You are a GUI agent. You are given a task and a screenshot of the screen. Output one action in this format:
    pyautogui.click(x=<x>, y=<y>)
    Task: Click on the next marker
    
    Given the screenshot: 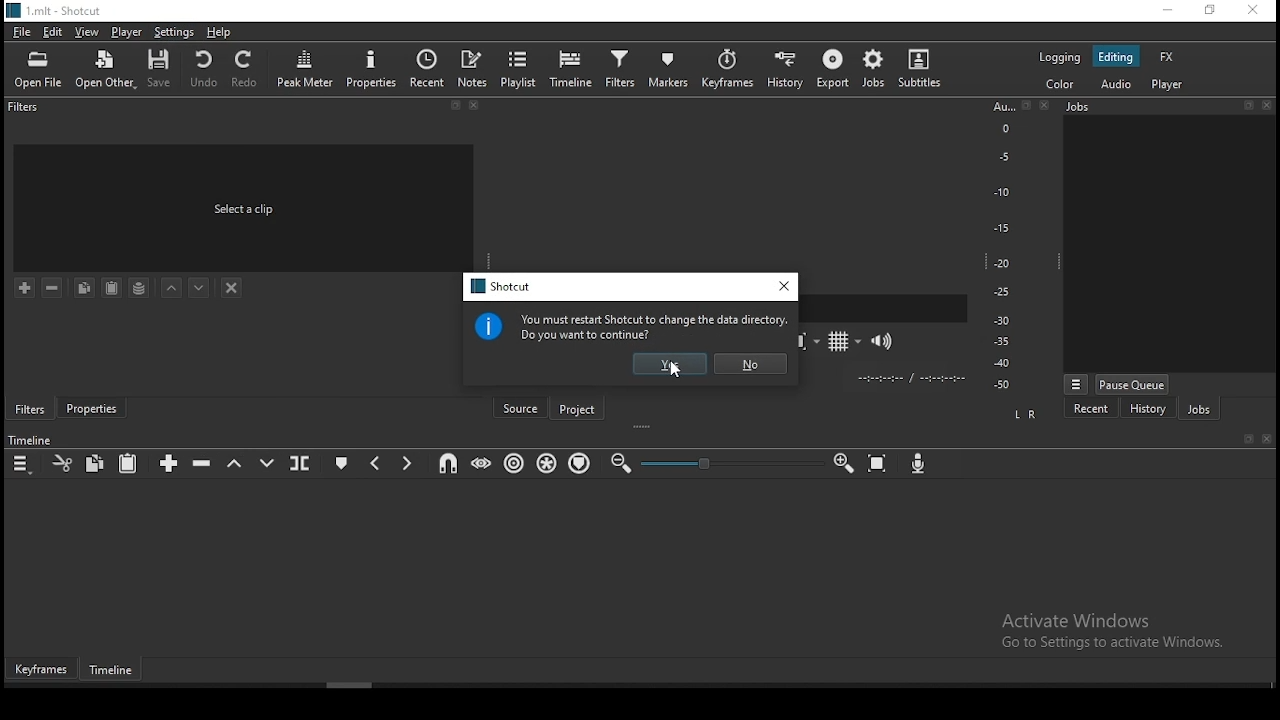 What is the action you would take?
    pyautogui.click(x=407, y=462)
    